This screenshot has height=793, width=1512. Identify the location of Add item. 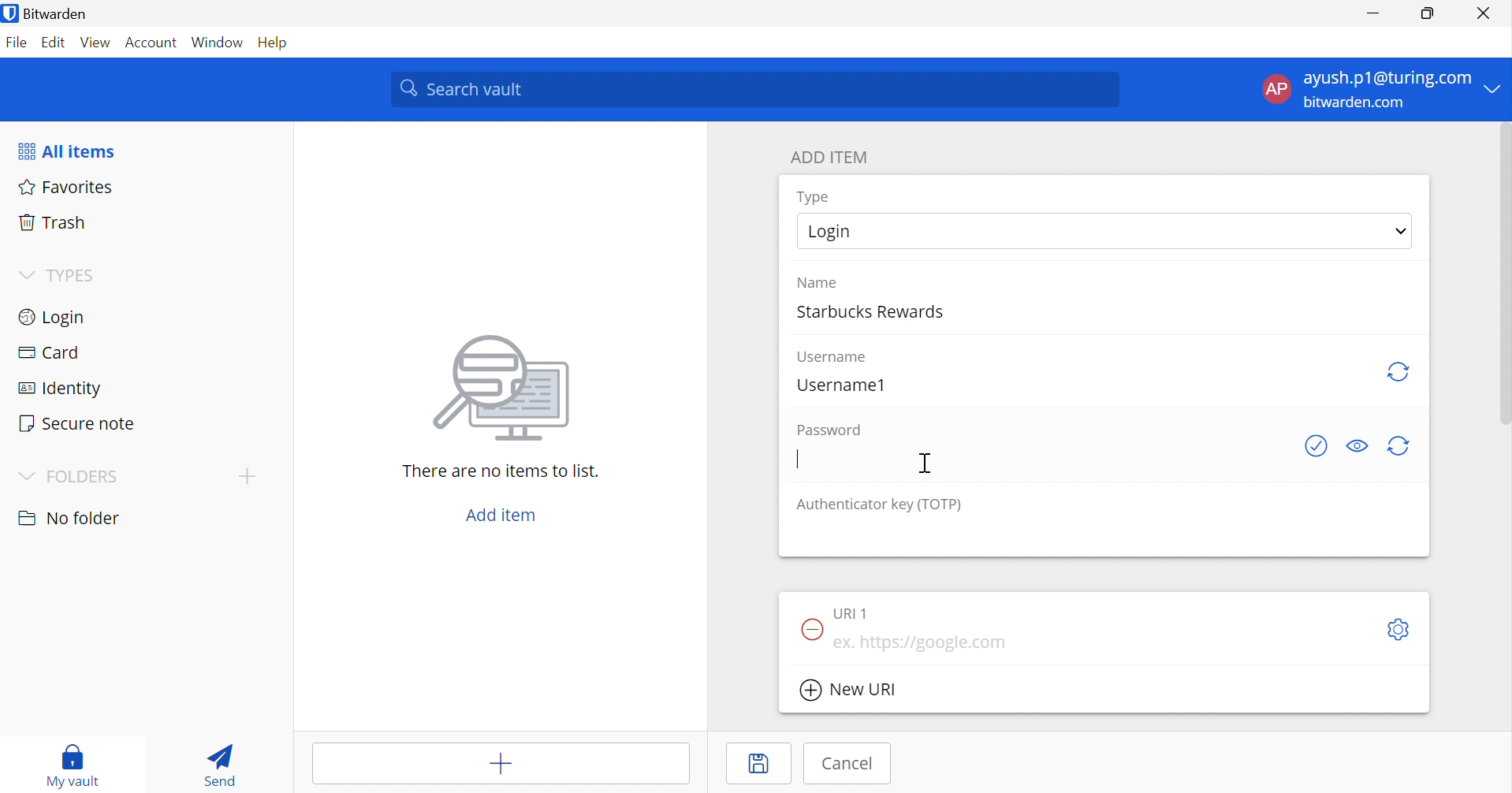
(505, 516).